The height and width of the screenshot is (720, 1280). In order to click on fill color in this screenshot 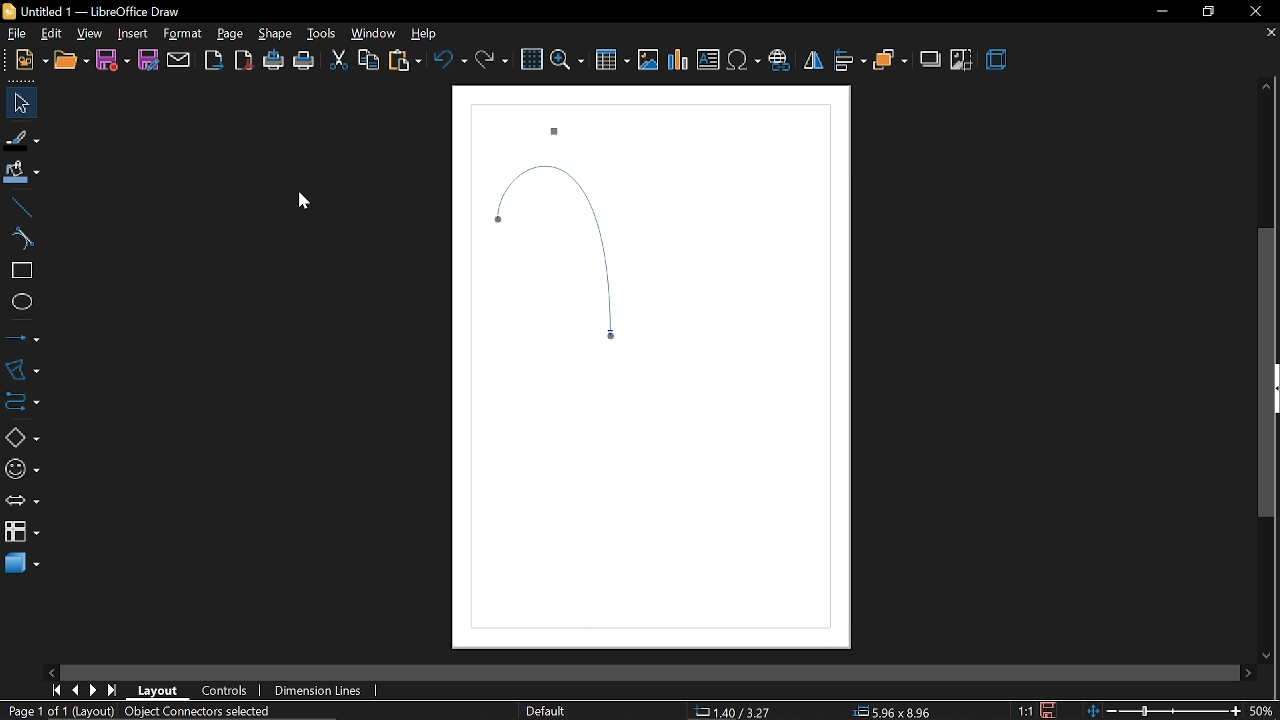, I will do `click(22, 173)`.